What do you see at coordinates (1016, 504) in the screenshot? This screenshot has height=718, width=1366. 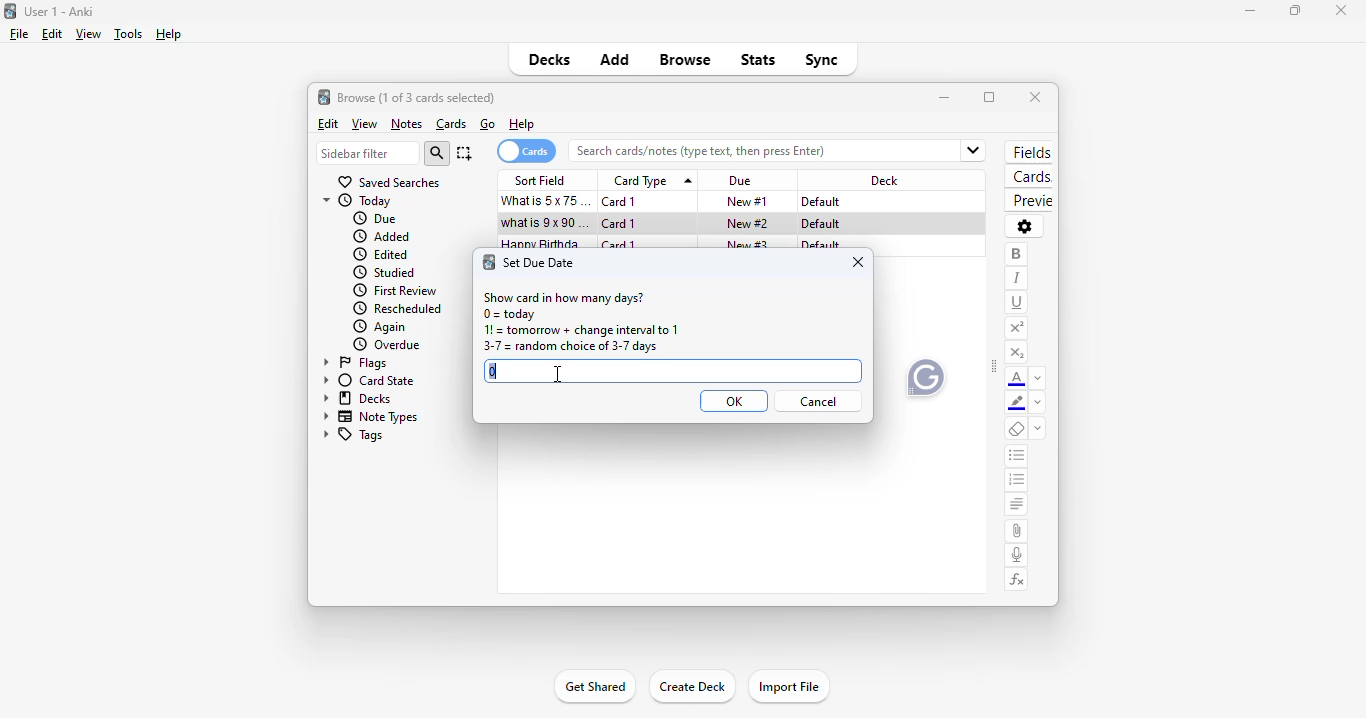 I see `alignment` at bounding box center [1016, 504].